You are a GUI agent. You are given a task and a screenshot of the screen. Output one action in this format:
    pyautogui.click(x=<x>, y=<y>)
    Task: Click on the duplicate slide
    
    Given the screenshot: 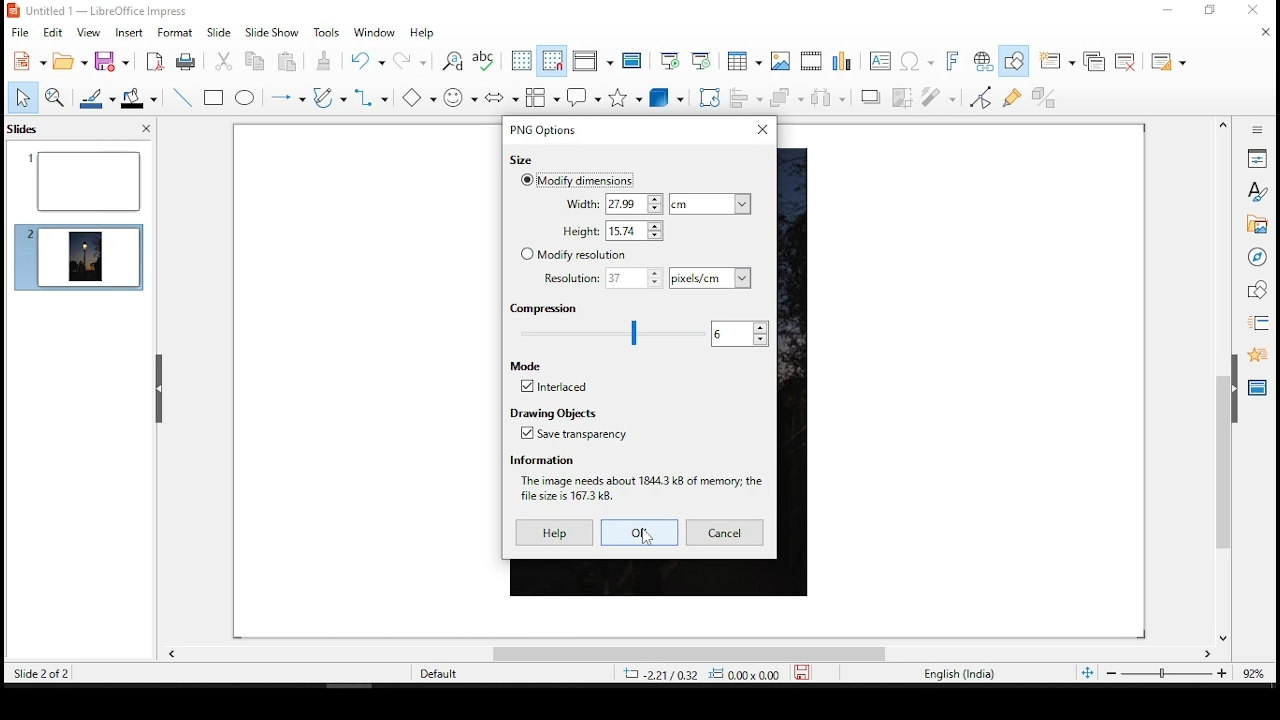 What is the action you would take?
    pyautogui.click(x=1096, y=63)
    